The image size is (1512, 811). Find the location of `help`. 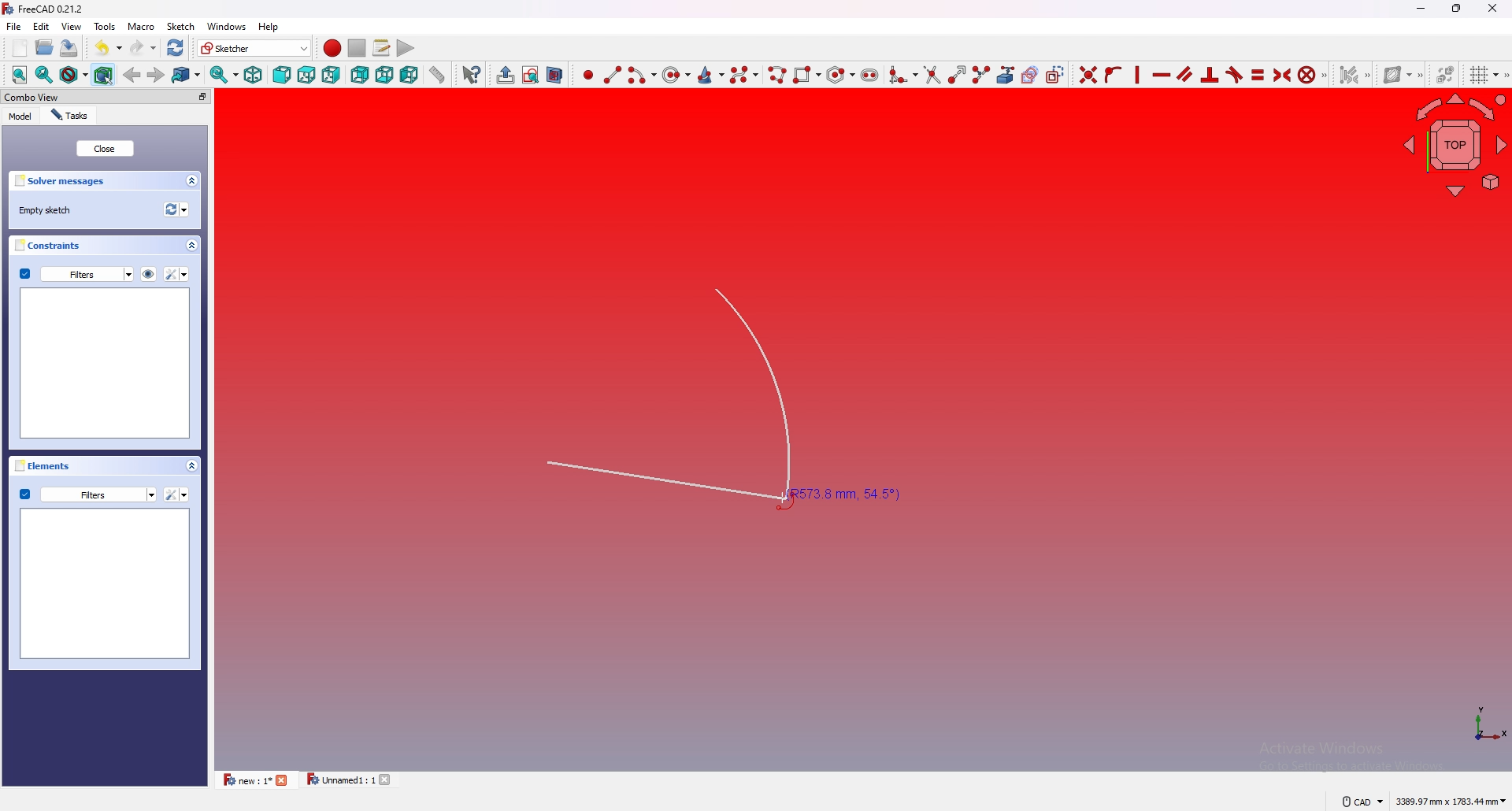

help is located at coordinates (269, 27).